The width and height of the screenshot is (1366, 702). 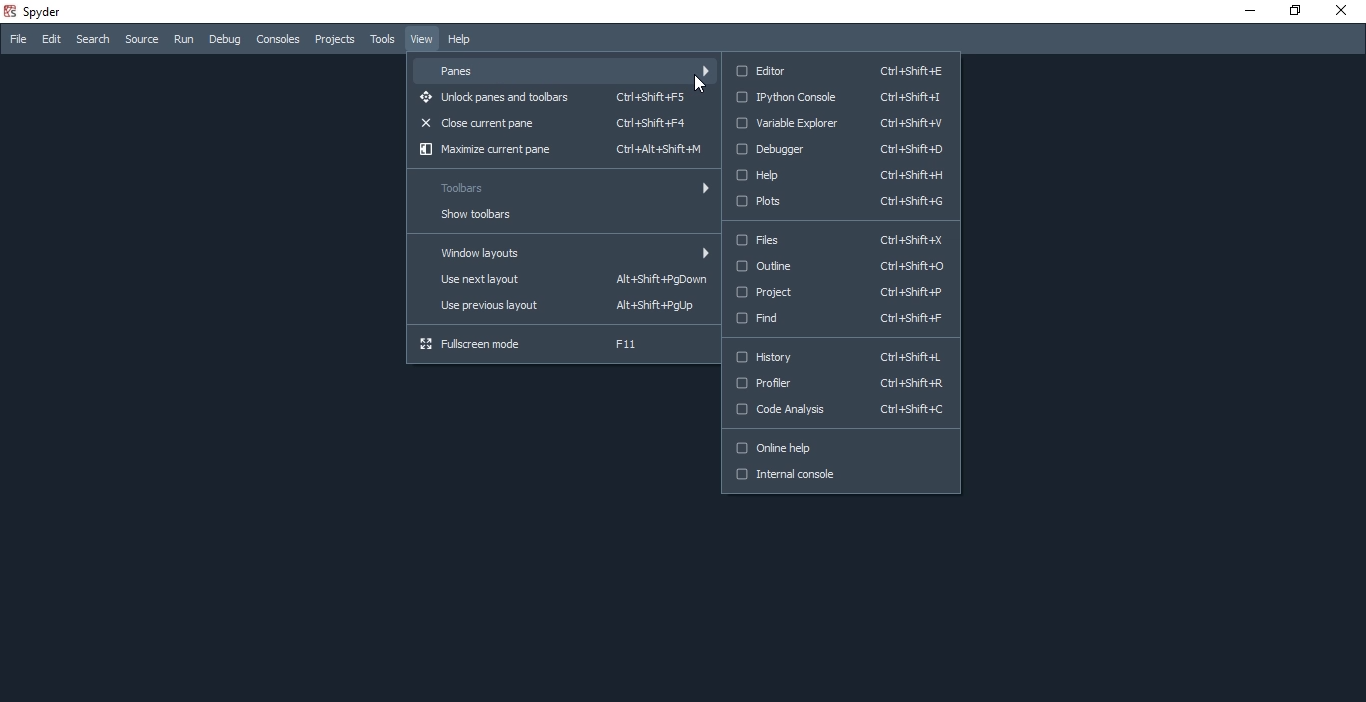 I want to click on search, so click(x=93, y=40).